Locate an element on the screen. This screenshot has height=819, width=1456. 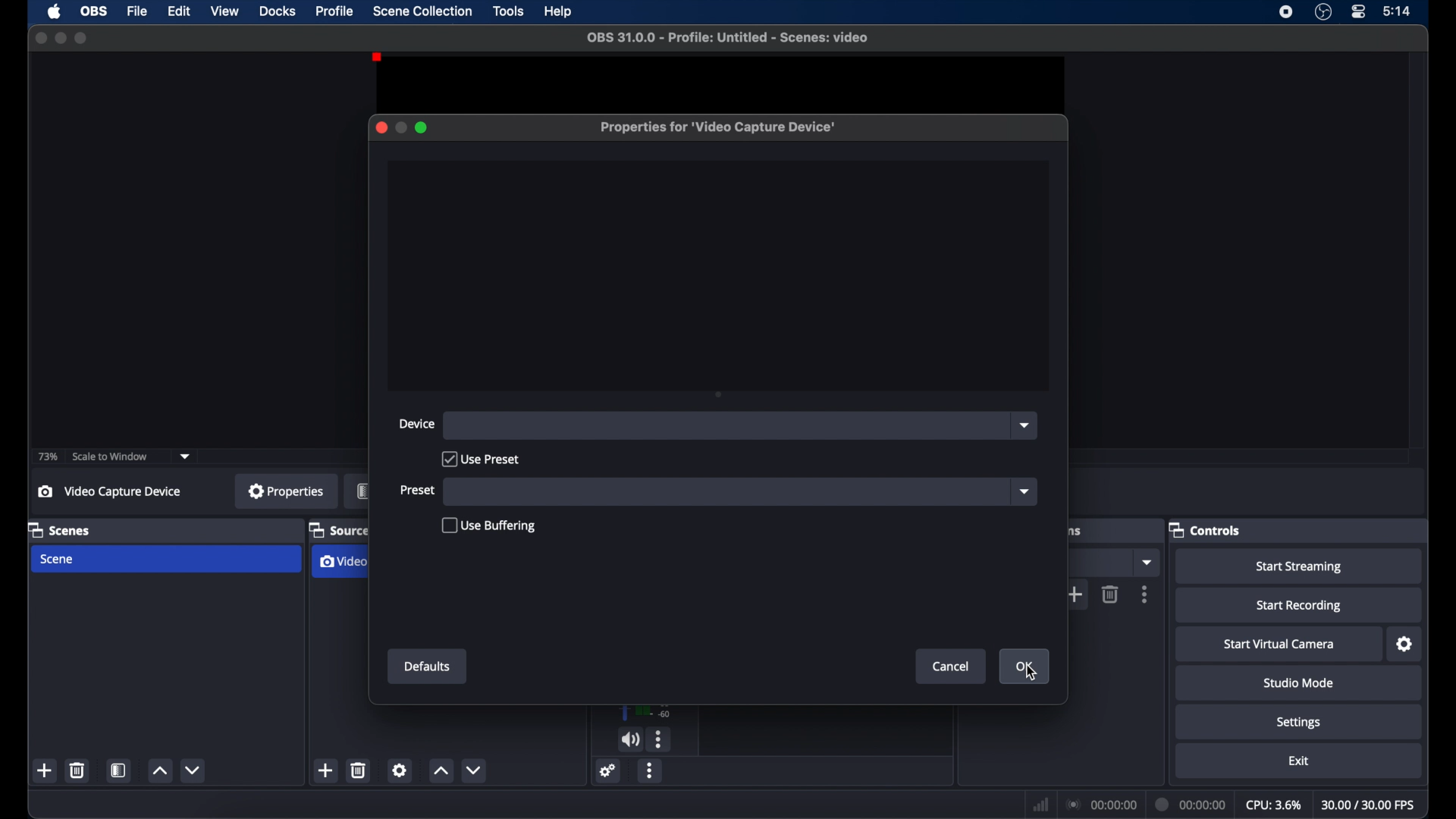
oBS 31.0.0 - Profile: Untitled - Scenes: video is located at coordinates (736, 39).